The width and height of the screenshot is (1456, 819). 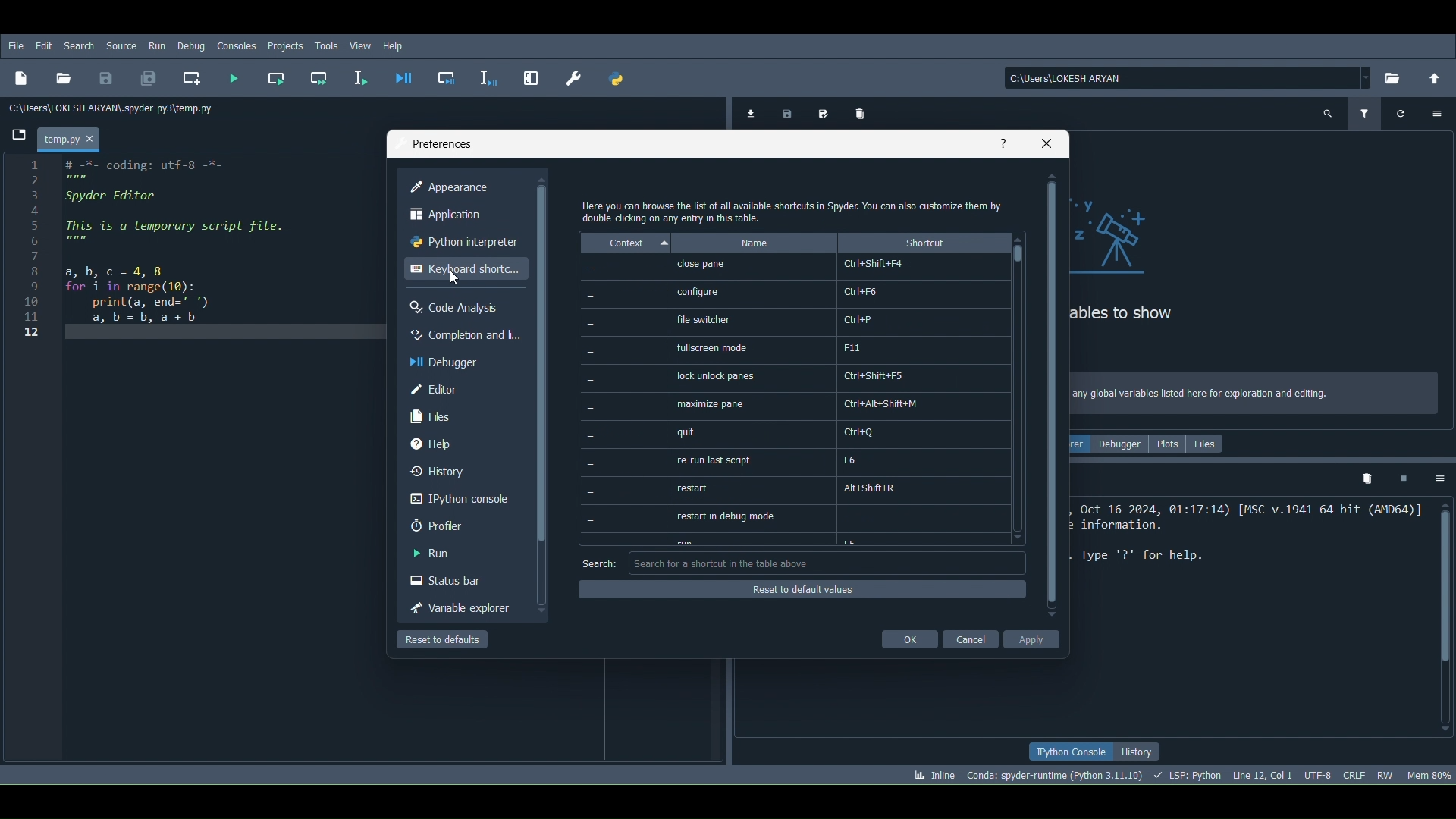 I want to click on Remove all variables, so click(x=1368, y=479).